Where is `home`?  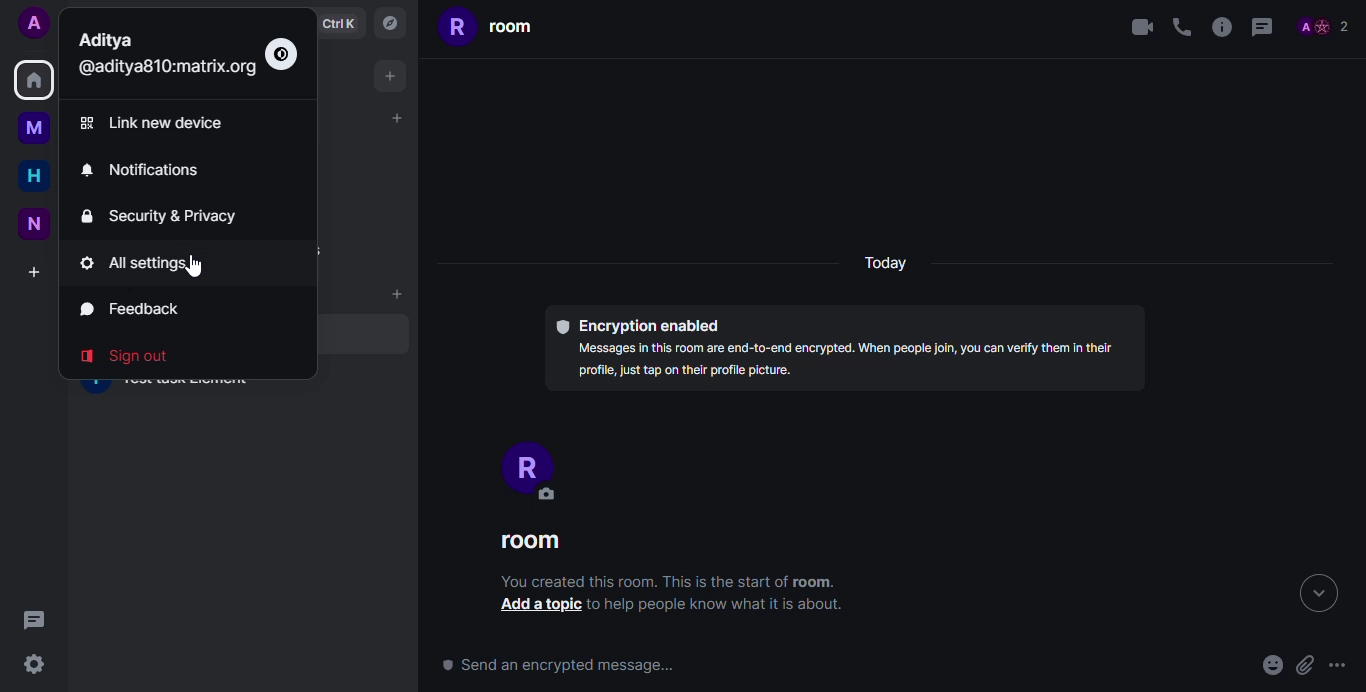 home is located at coordinates (32, 176).